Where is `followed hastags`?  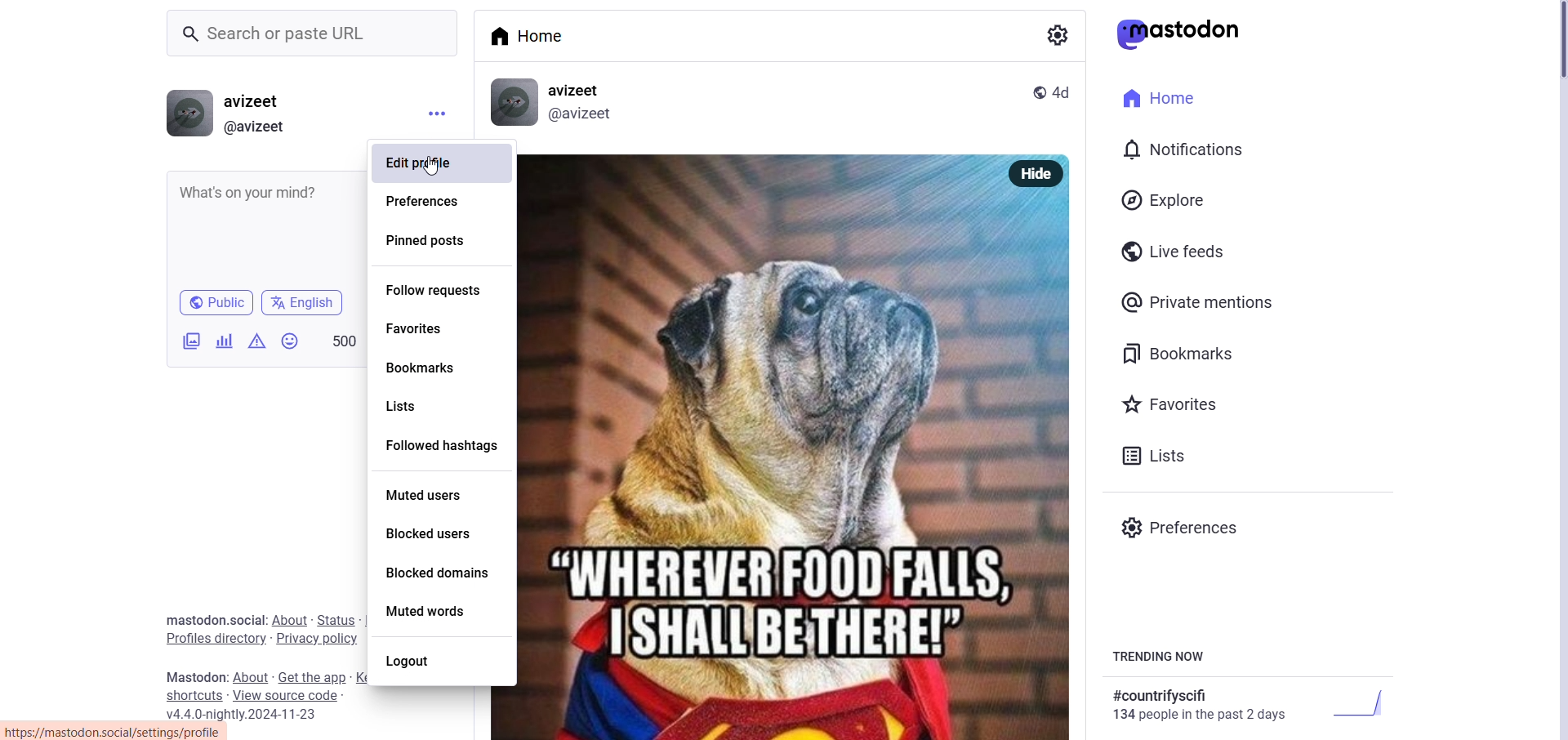
followed hastags is located at coordinates (442, 443).